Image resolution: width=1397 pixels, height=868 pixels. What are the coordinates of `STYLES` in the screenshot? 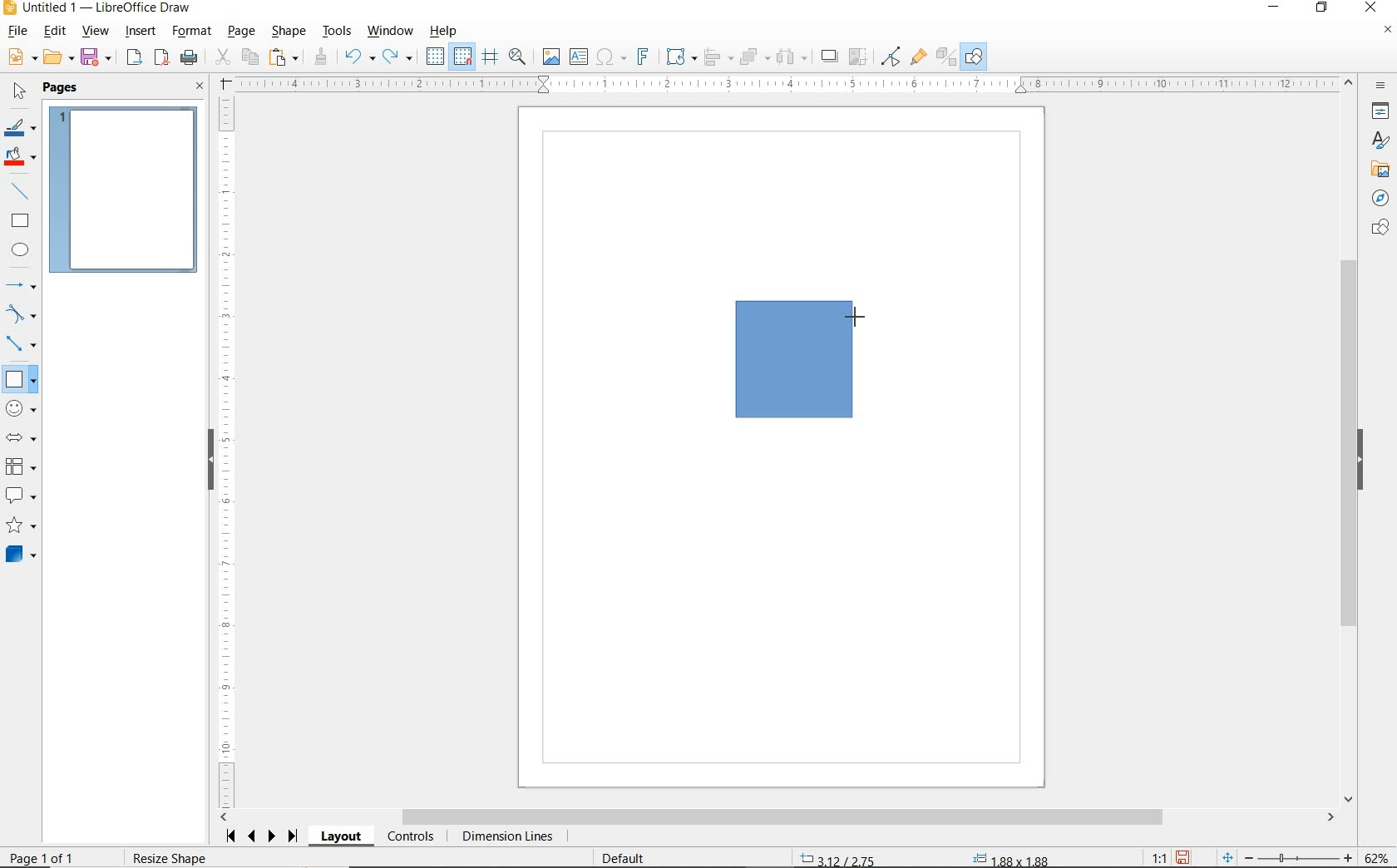 It's located at (1376, 141).